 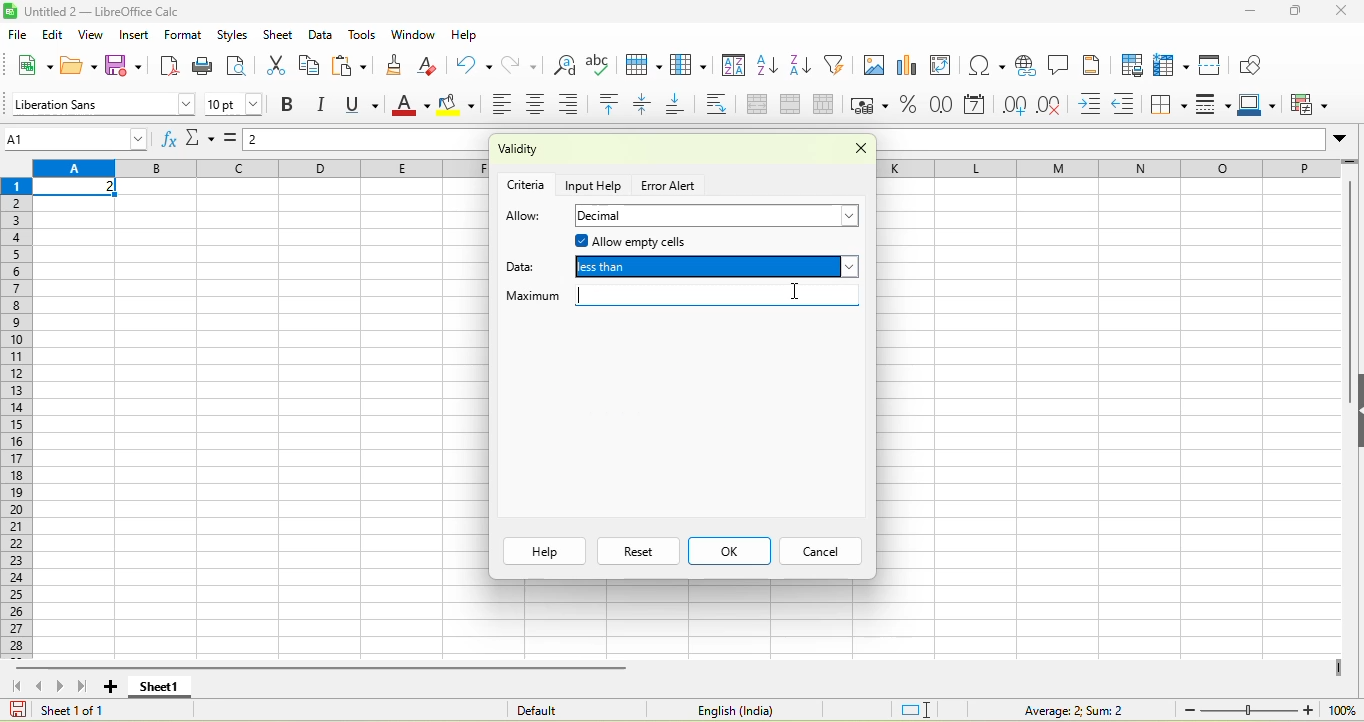 I want to click on zoom, so click(x=1249, y=709).